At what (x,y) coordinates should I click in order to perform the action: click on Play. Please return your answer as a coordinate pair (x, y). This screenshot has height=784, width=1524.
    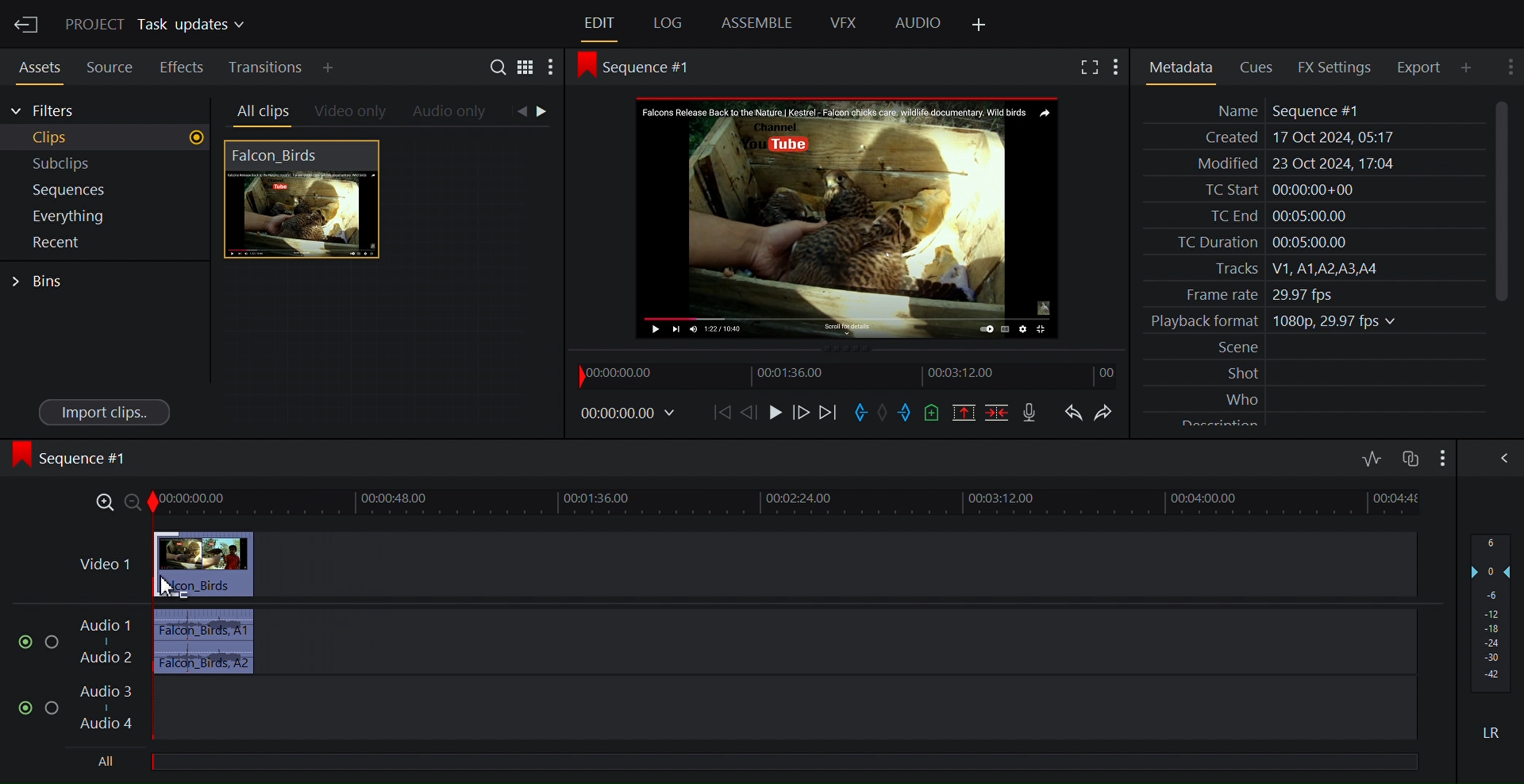
    Looking at the image, I should click on (775, 413).